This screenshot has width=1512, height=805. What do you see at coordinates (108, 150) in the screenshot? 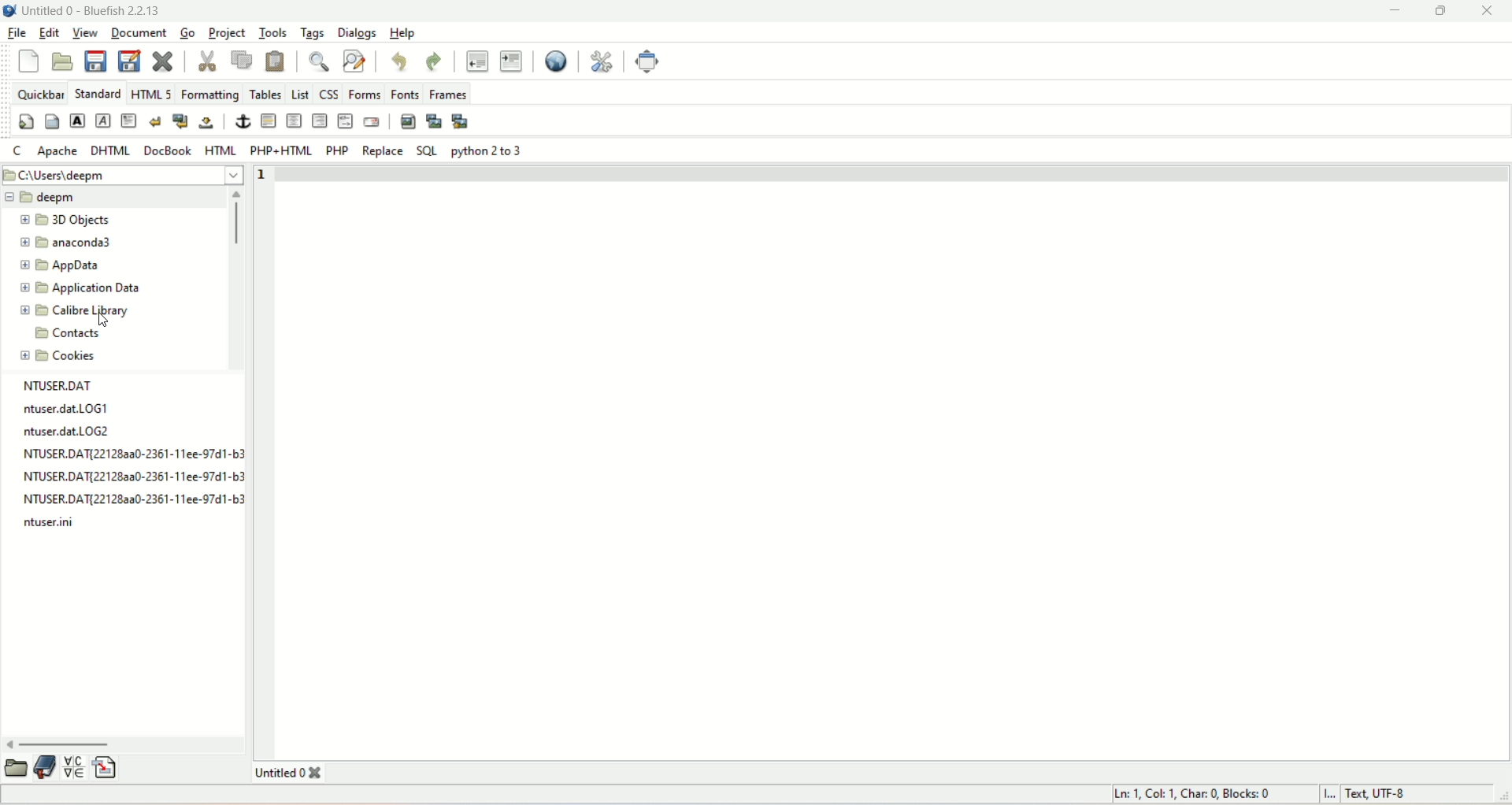
I see `DHTML` at bounding box center [108, 150].